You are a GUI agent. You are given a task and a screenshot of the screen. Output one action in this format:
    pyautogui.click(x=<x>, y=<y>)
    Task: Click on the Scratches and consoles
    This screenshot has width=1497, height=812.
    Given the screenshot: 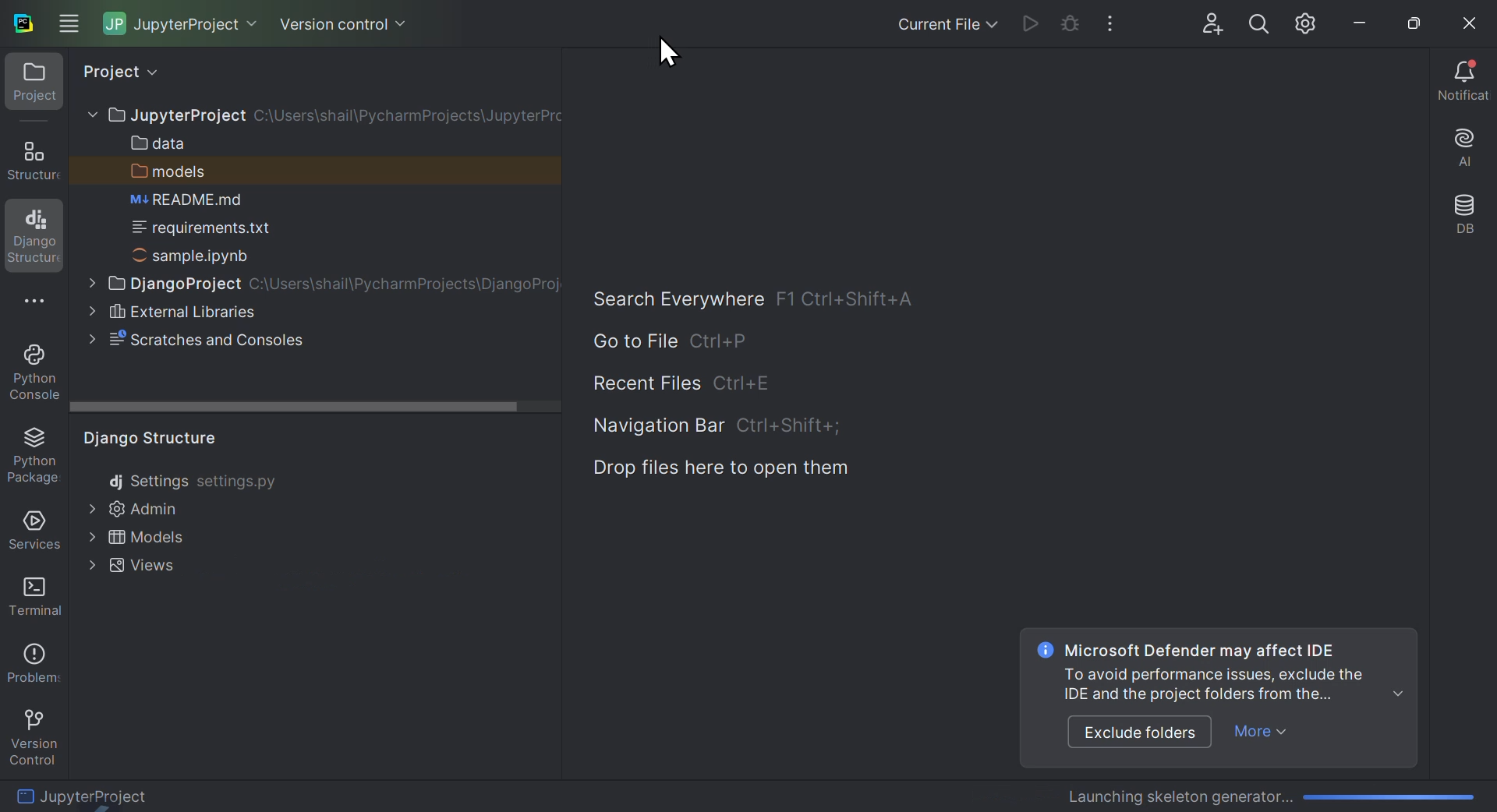 What is the action you would take?
    pyautogui.click(x=228, y=337)
    